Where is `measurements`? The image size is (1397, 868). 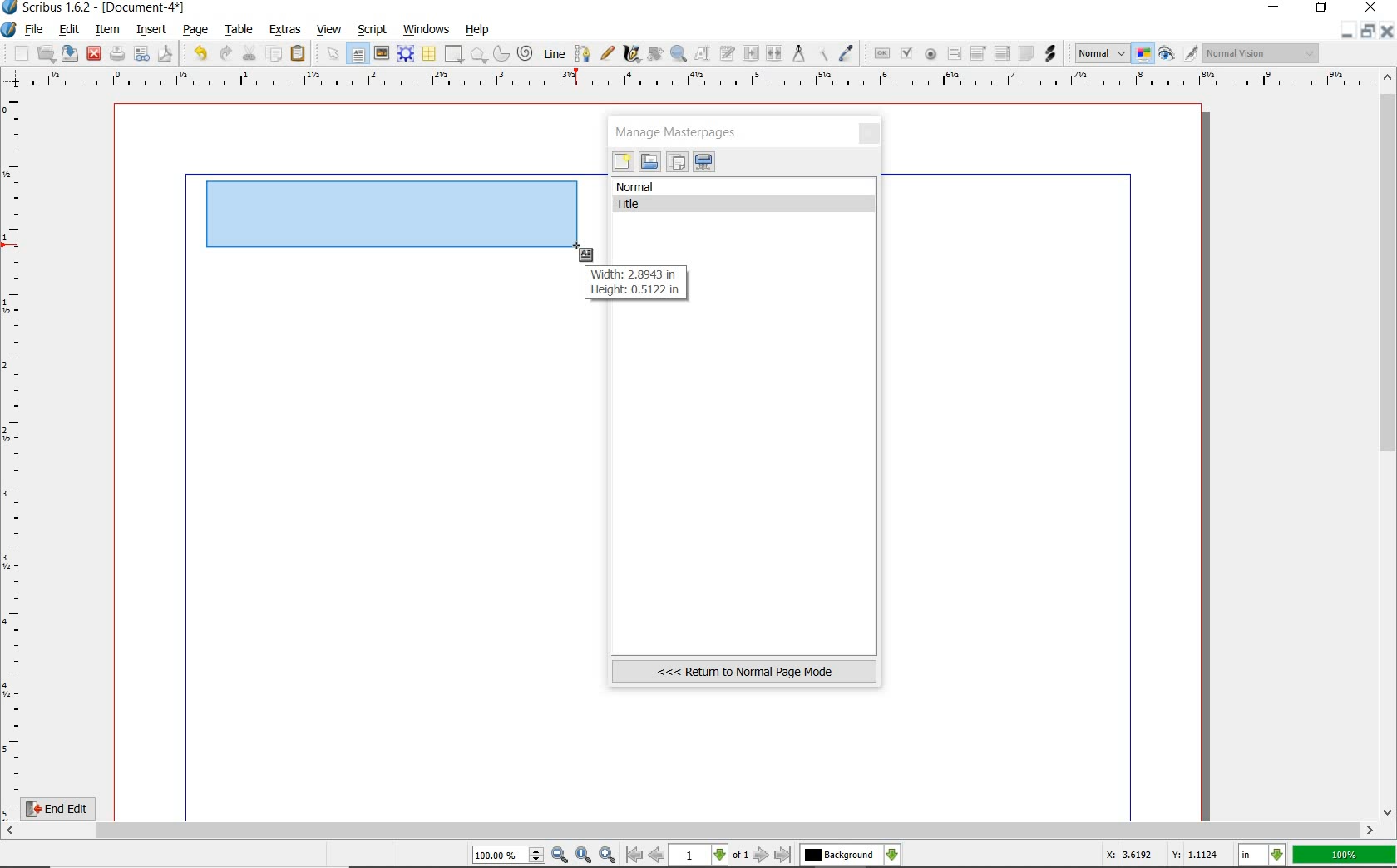 measurements is located at coordinates (799, 54).